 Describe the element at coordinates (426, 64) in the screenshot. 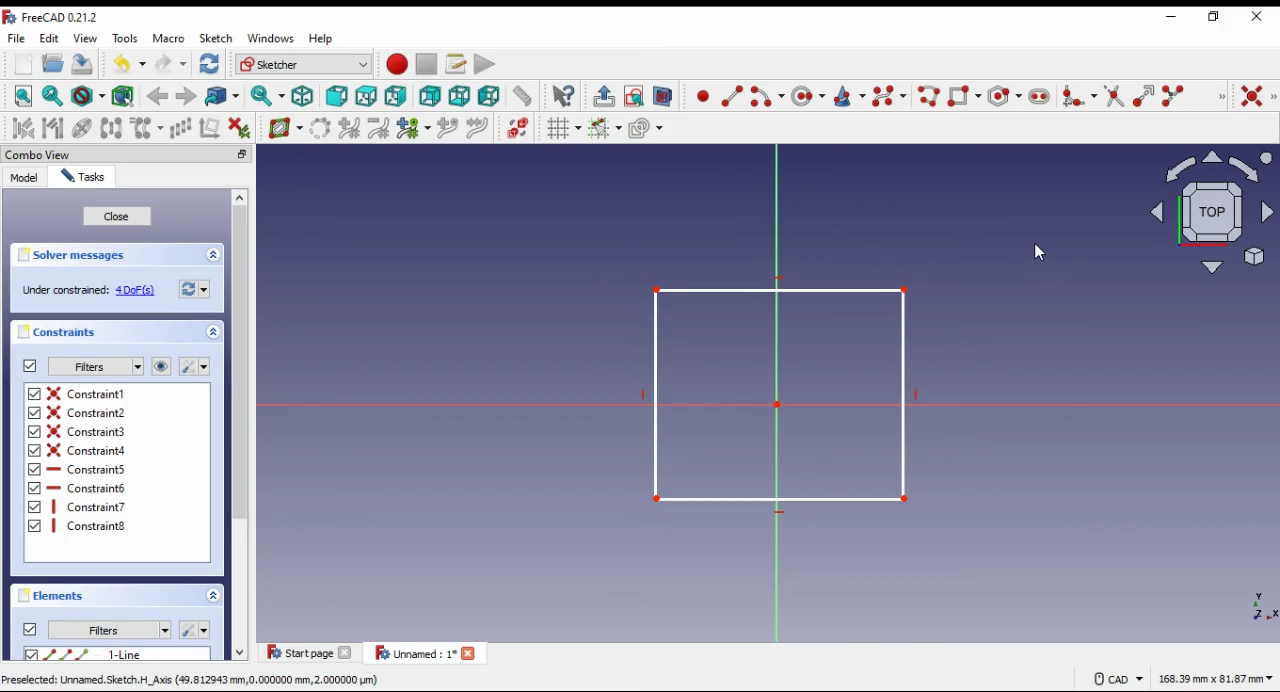

I see `stop macro recording` at that location.